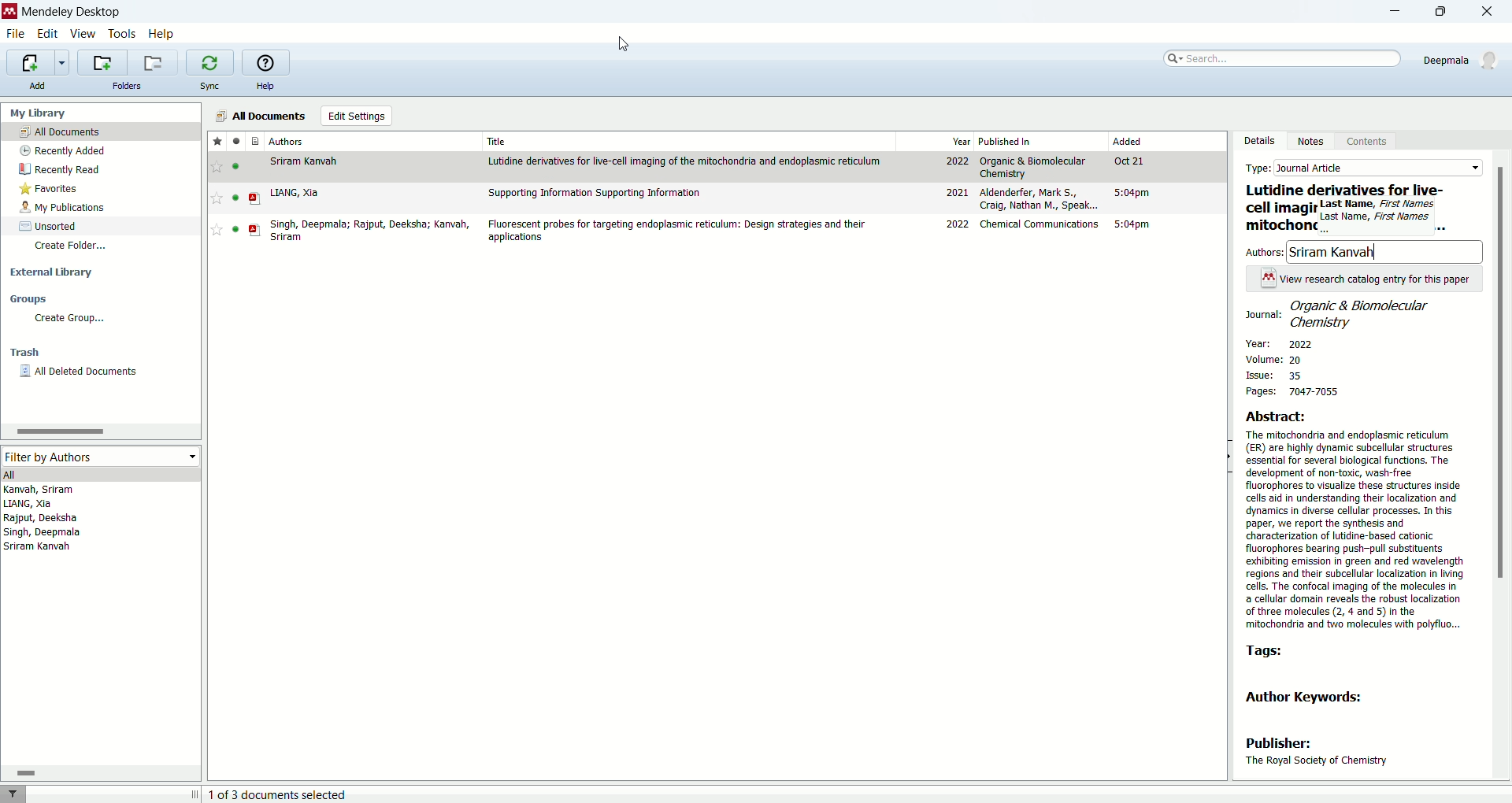 Image resolution: width=1512 pixels, height=803 pixels. I want to click on all documents, so click(103, 133).